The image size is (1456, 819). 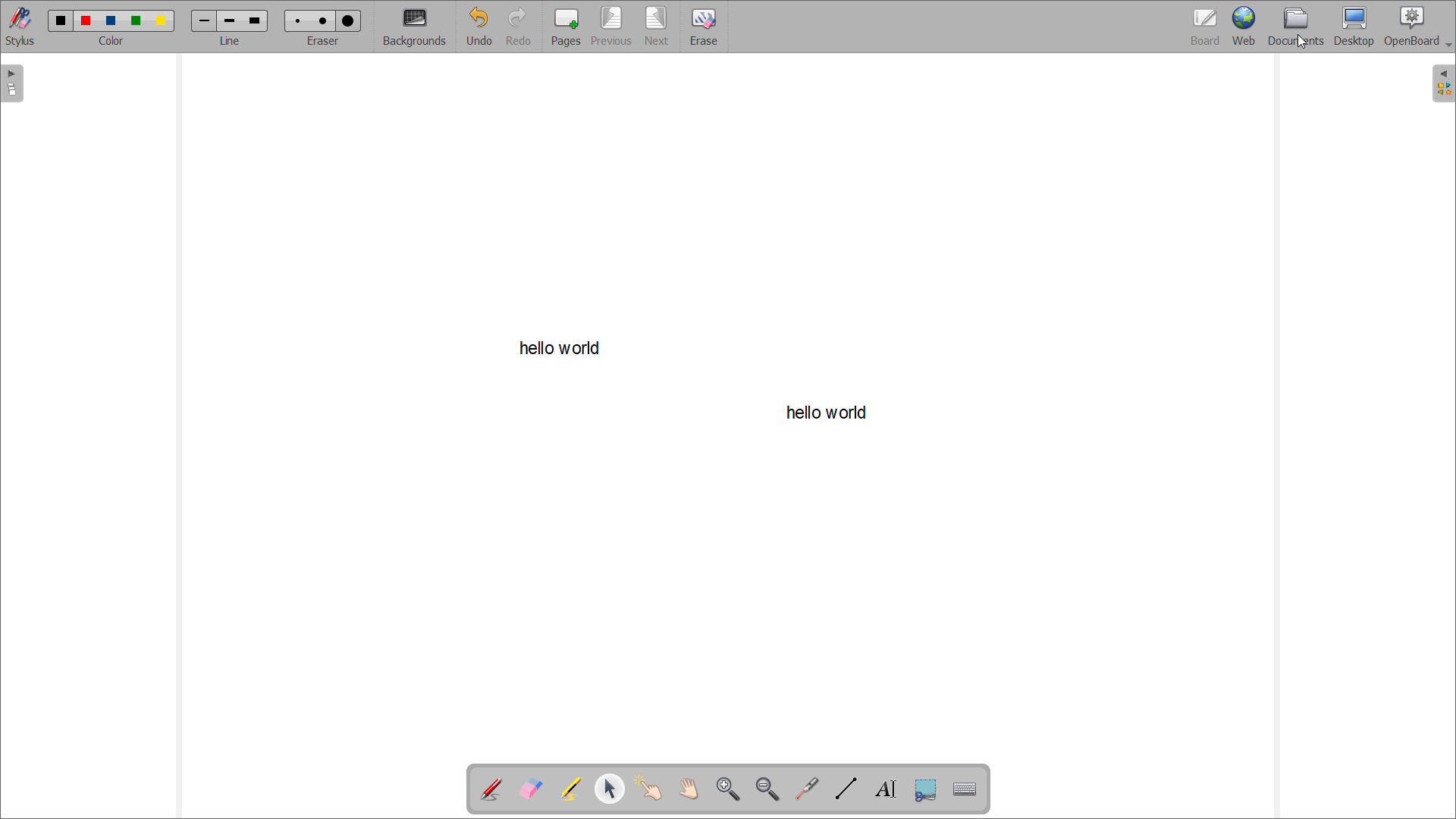 I want to click on add pages, so click(x=565, y=26).